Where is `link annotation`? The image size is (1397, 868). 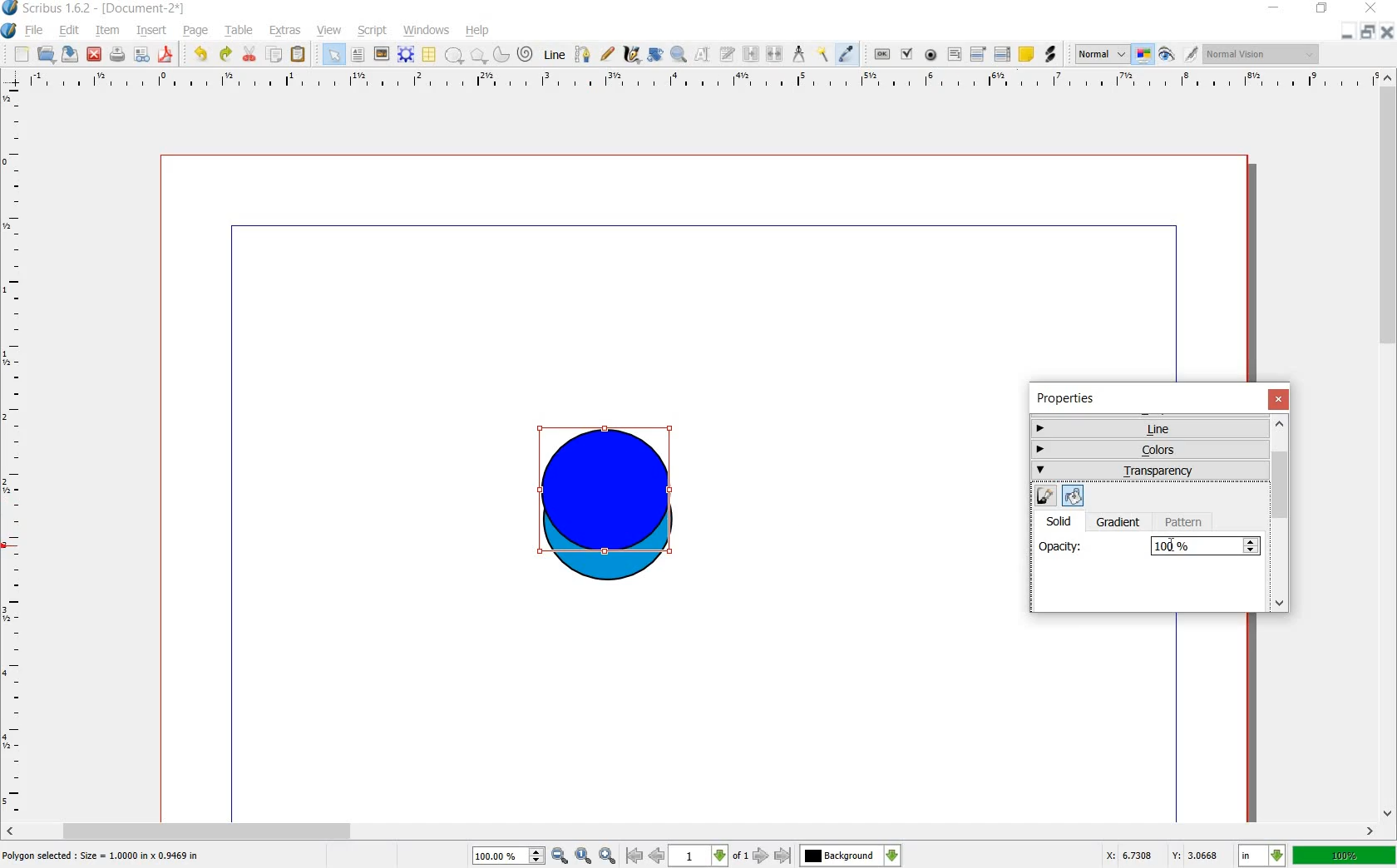
link annotation is located at coordinates (1050, 53).